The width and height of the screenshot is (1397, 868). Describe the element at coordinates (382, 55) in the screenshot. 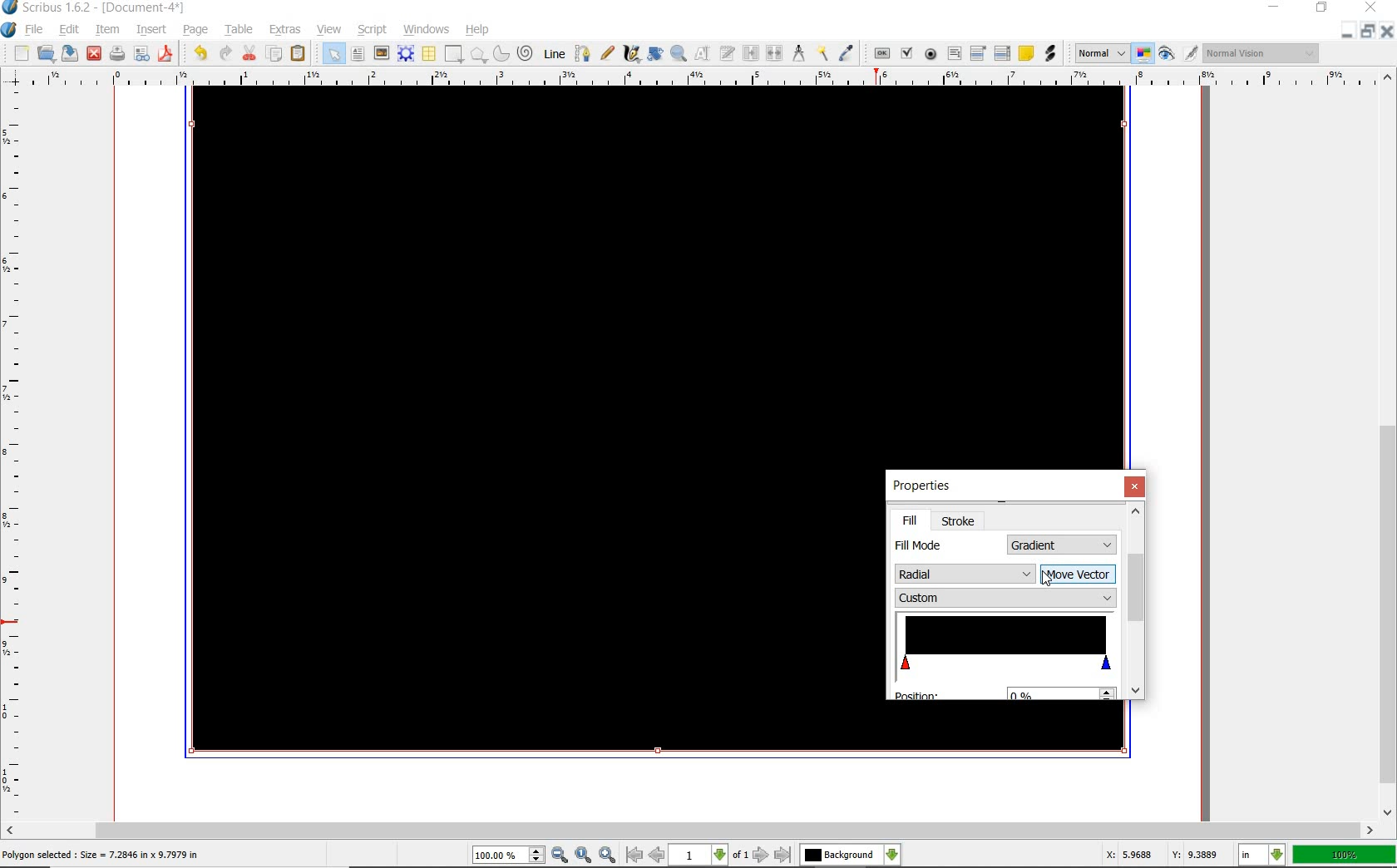

I see `image frame` at that location.